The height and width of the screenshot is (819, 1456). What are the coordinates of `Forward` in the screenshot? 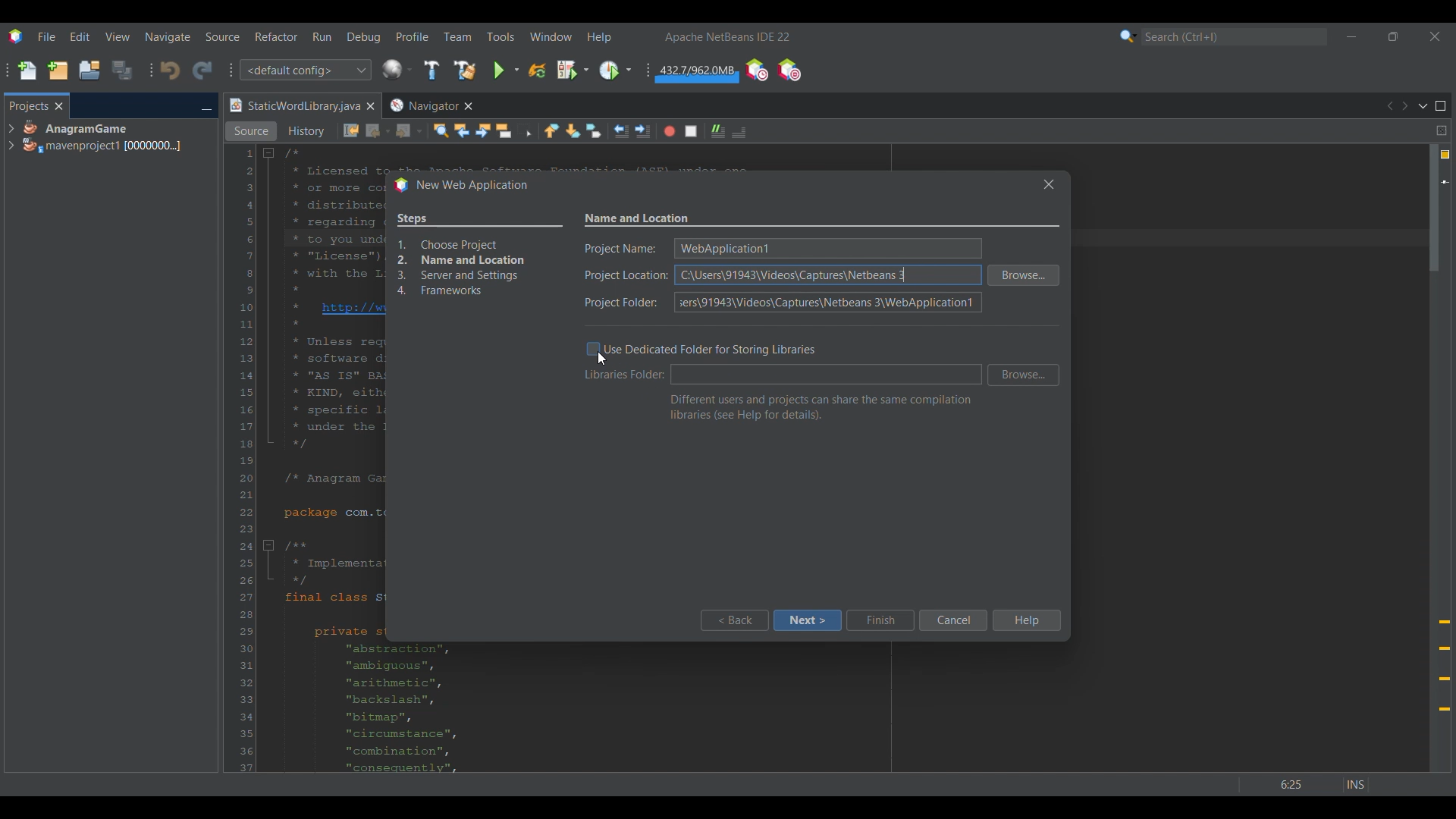 It's located at (409, 131).